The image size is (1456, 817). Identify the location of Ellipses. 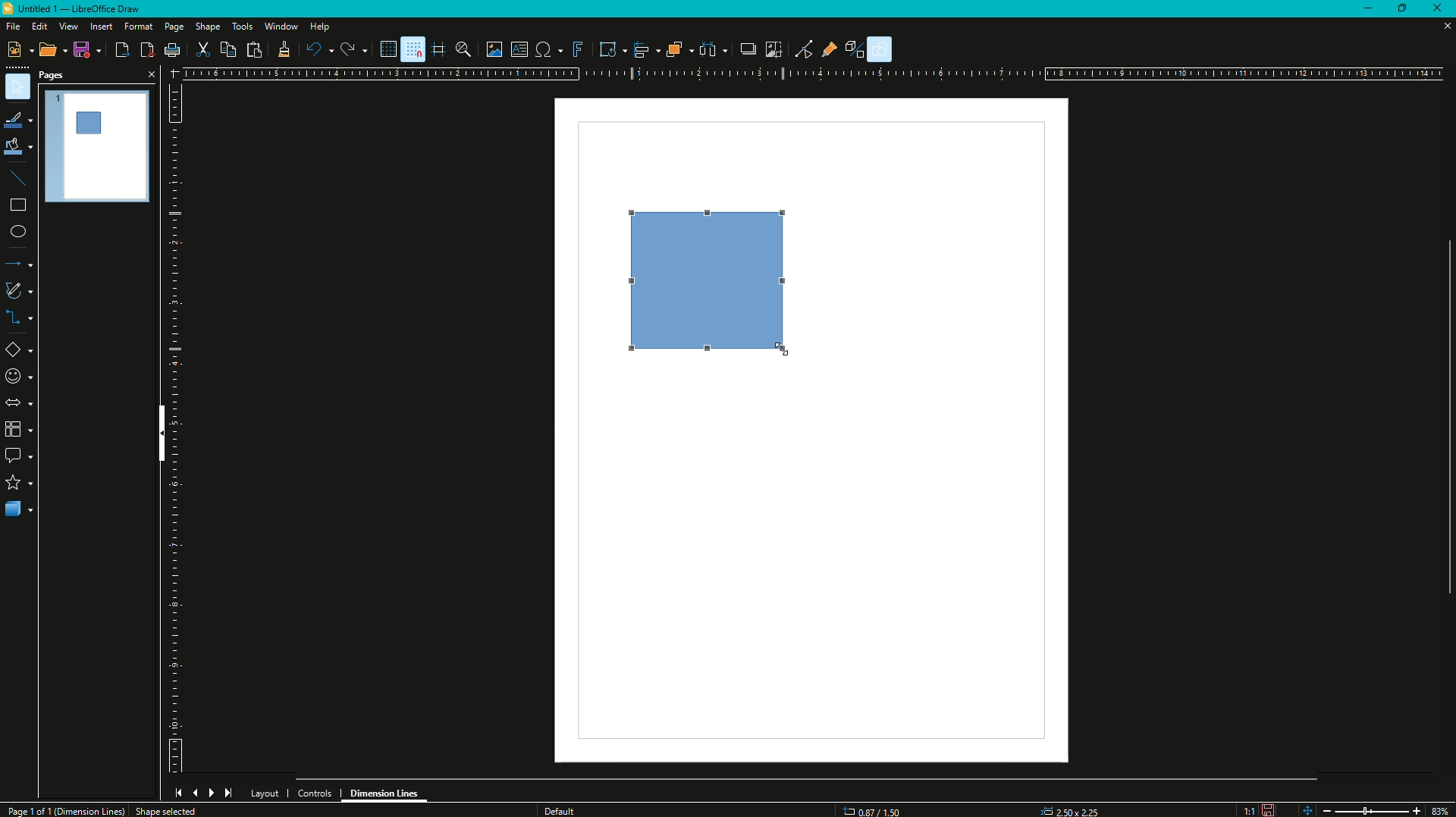
(17, 233).